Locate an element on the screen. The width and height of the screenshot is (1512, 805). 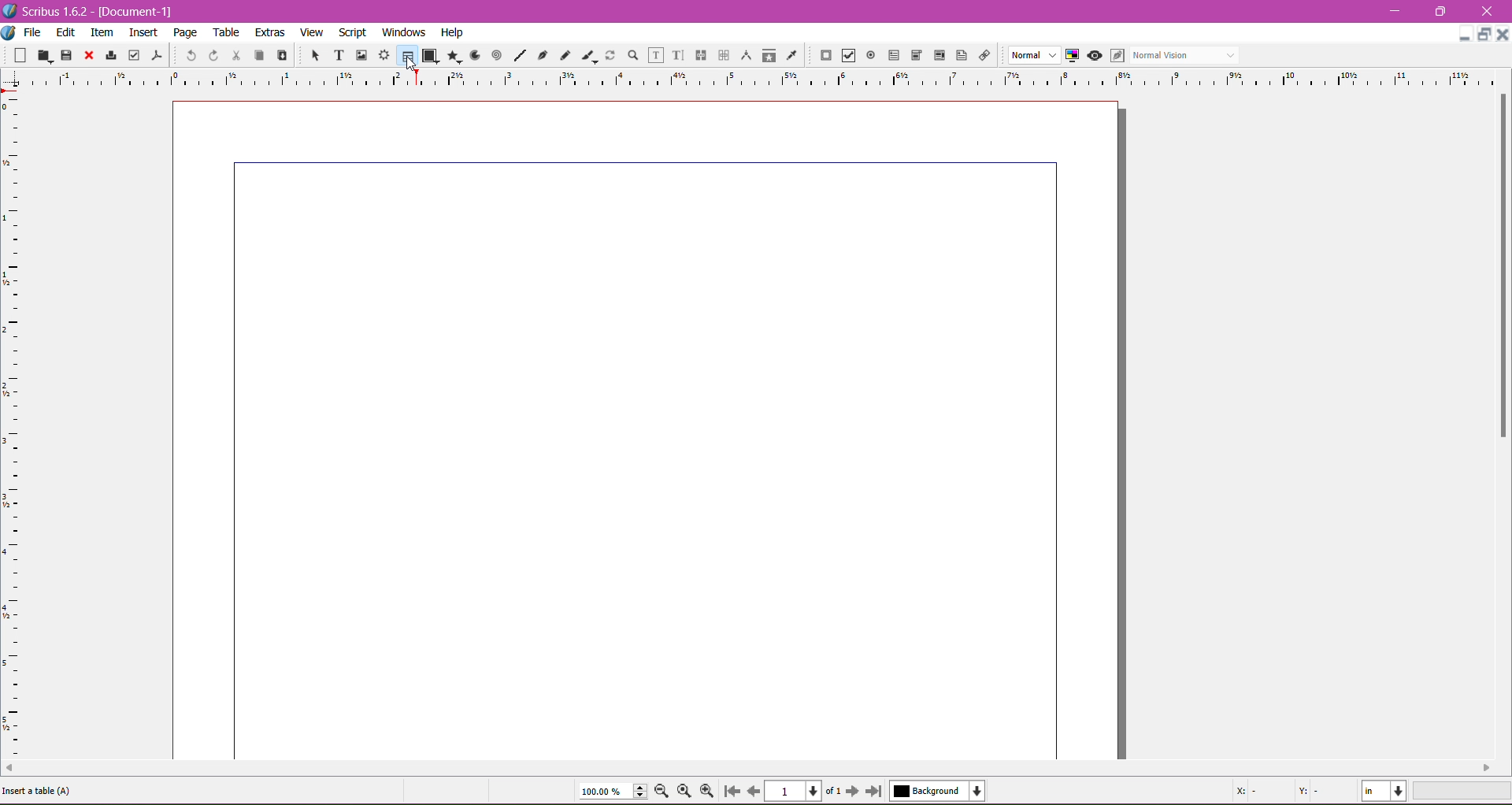
Maximize is located at coordinates (1441, 11).